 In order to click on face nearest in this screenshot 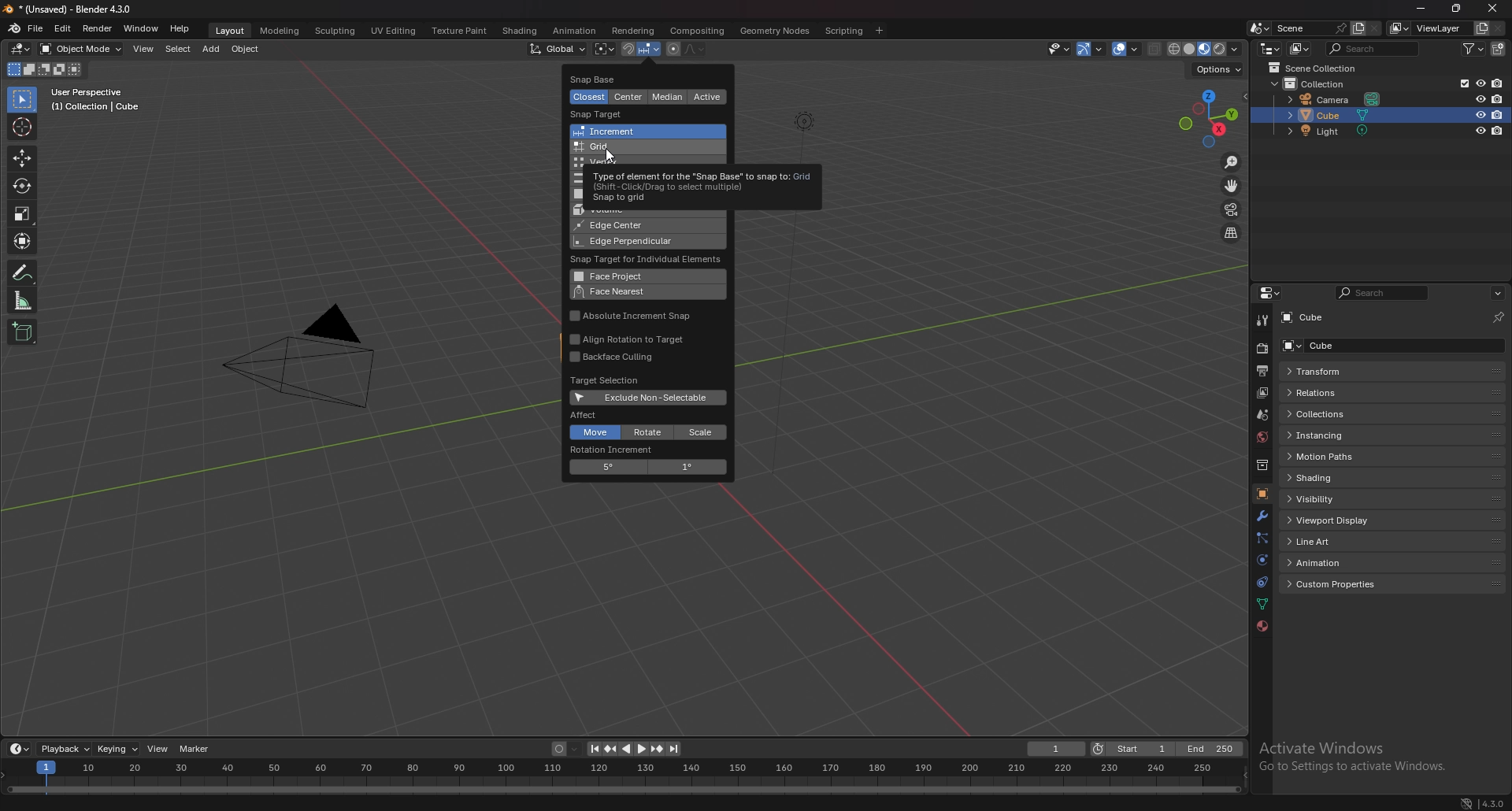, I will do `click(639, 292)`.